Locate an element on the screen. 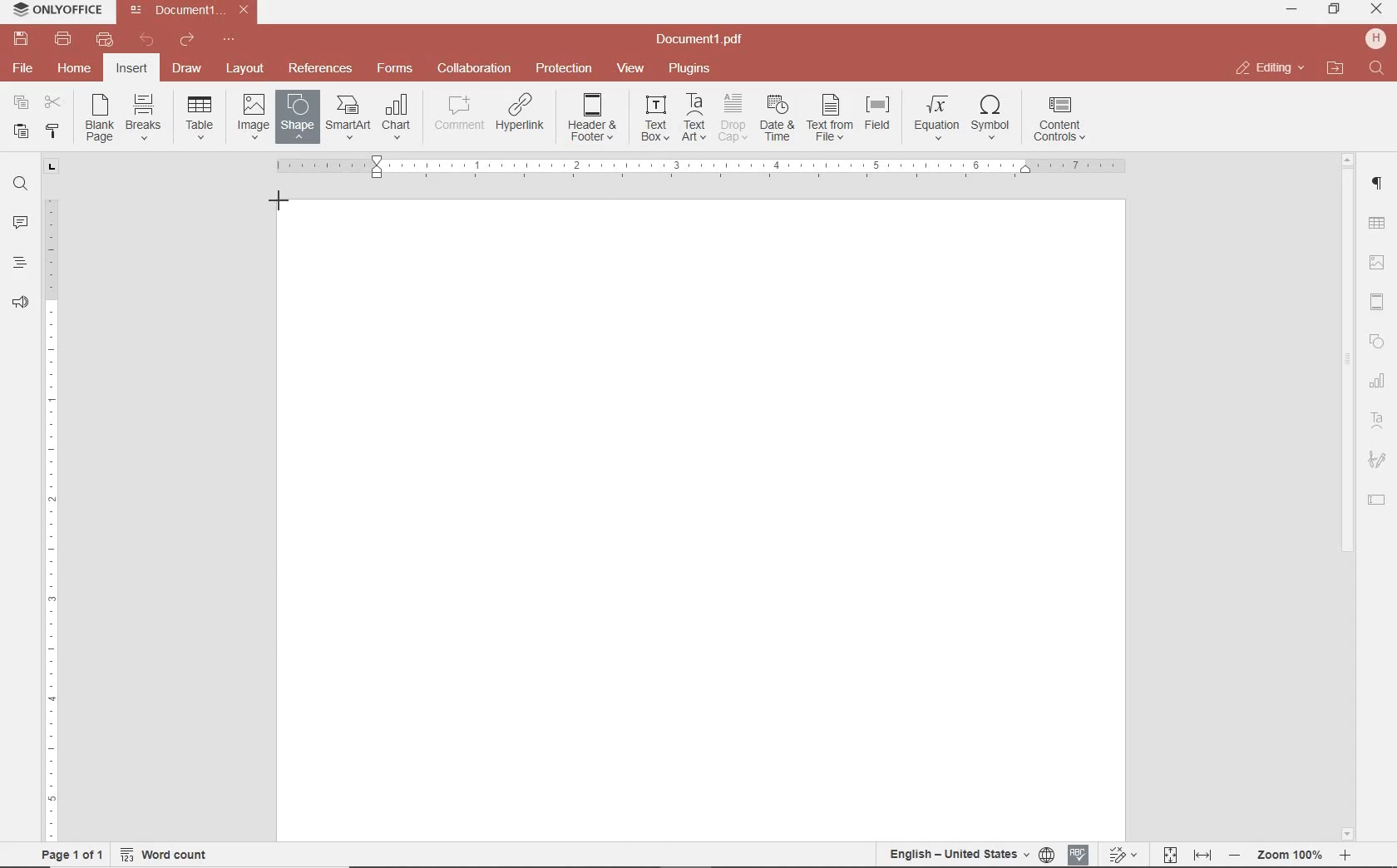 This screenshot has height=868, width=1397. INSERT SYMBOL is located at coordinates (990, 116).